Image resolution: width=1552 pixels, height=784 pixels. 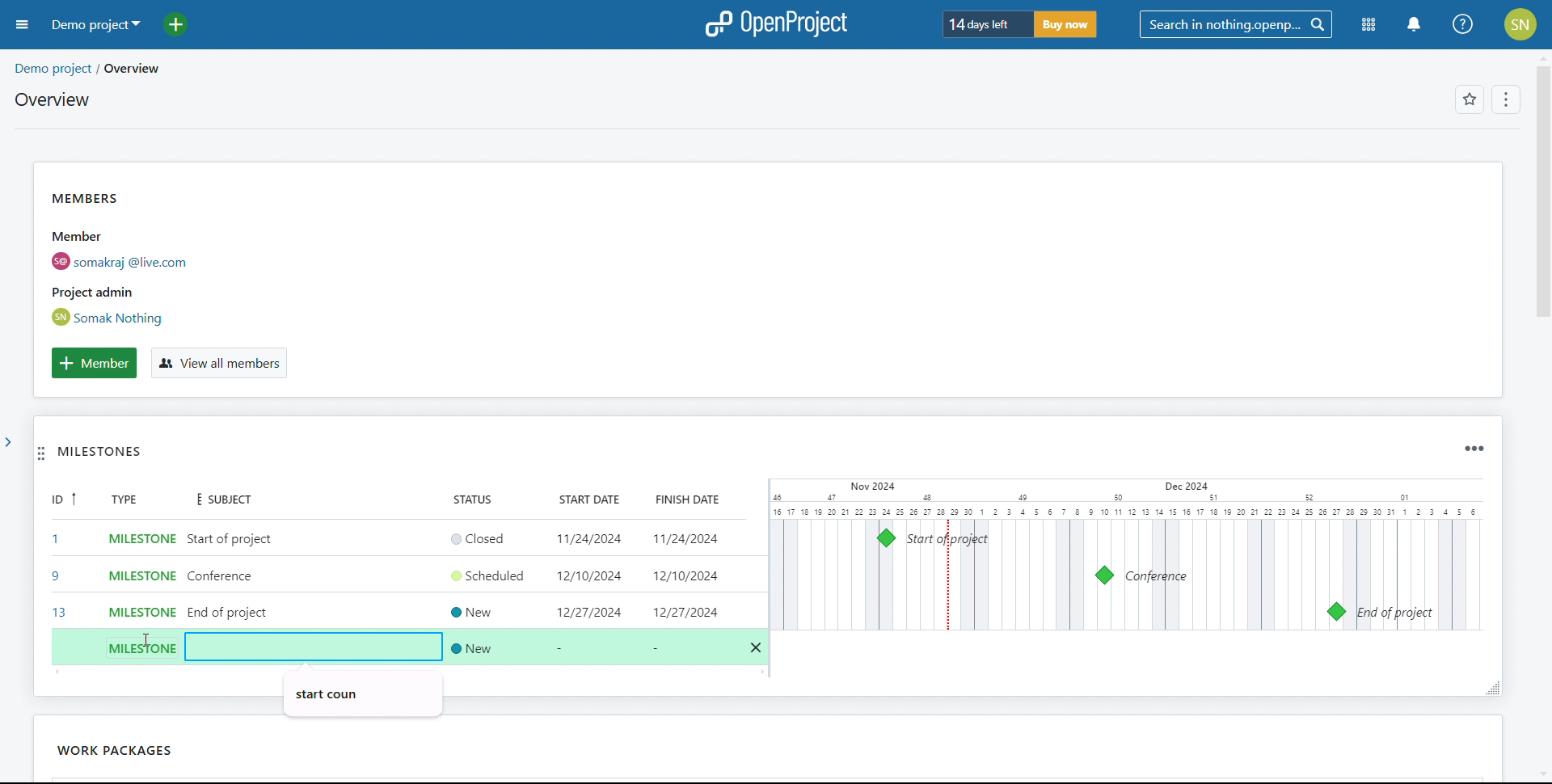 I want to click on help, so click(x=1464, y=24).